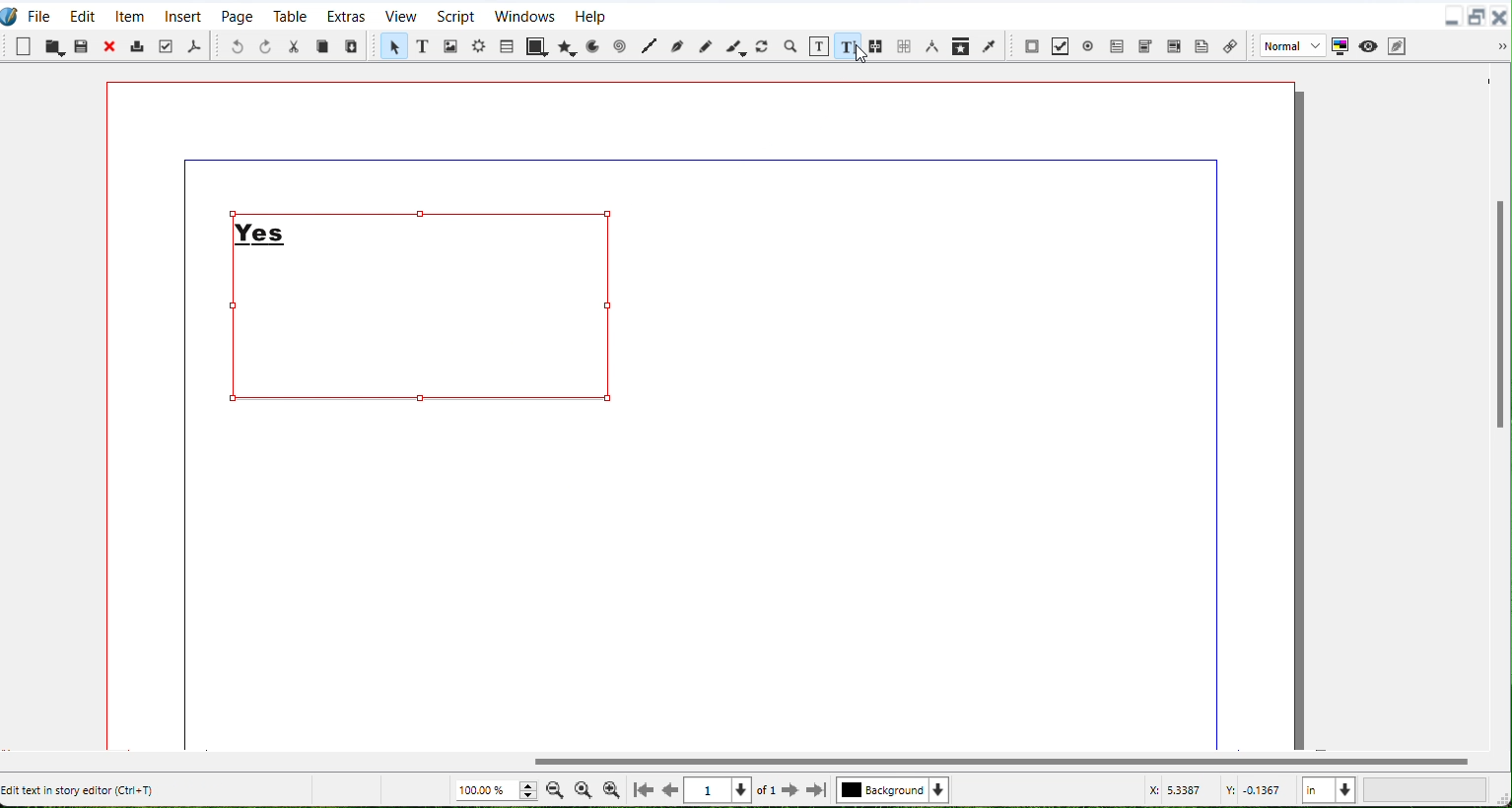 This screenshot has width=1512, height=808. Describe the element at coordinates (817, 790) in the screenshot. I see `Go to last page` at that location.